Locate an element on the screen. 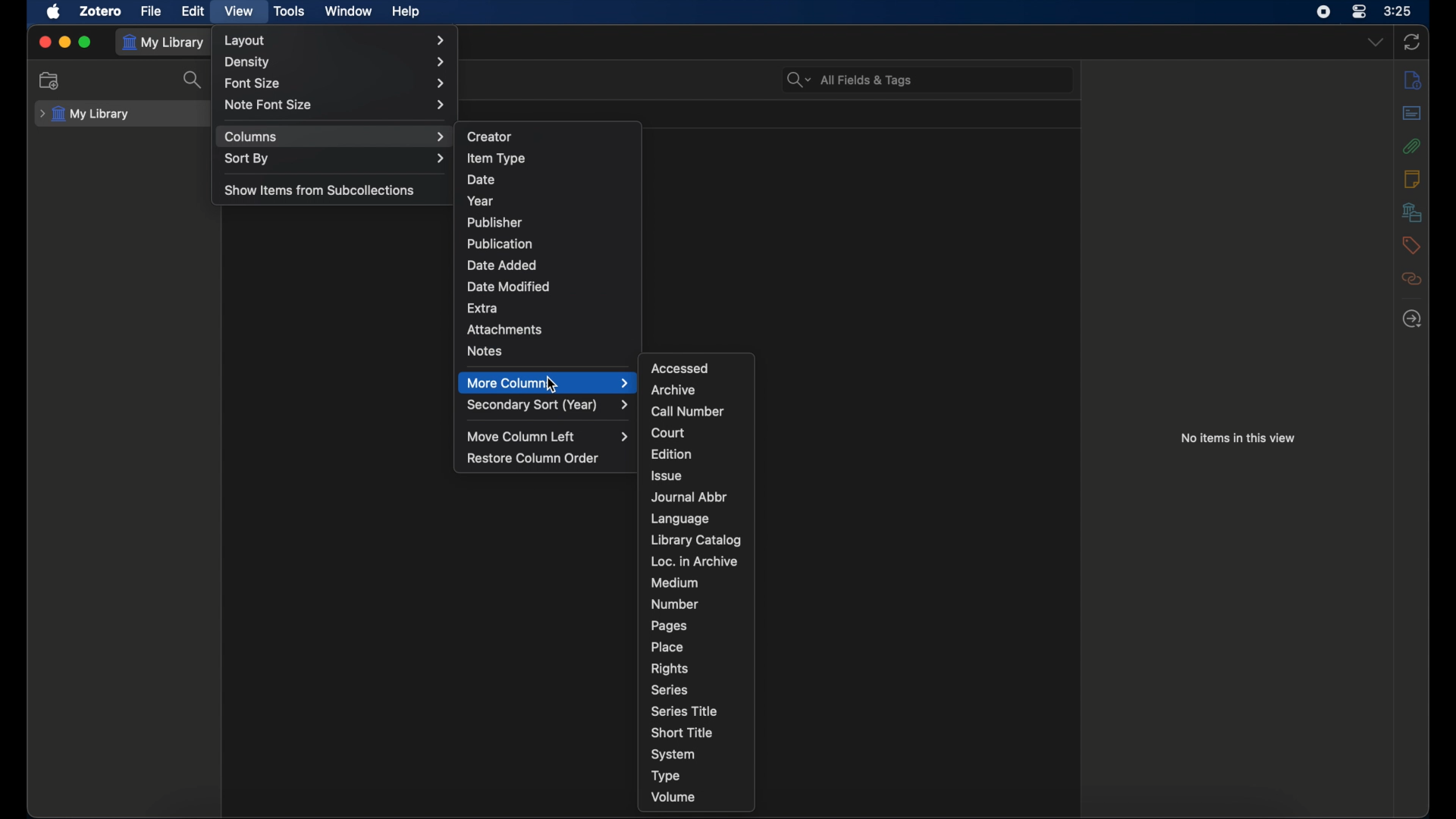 Image resolution: width=1456 pixels, height=819 pixels. sort by is located at coordinates (337, 159).